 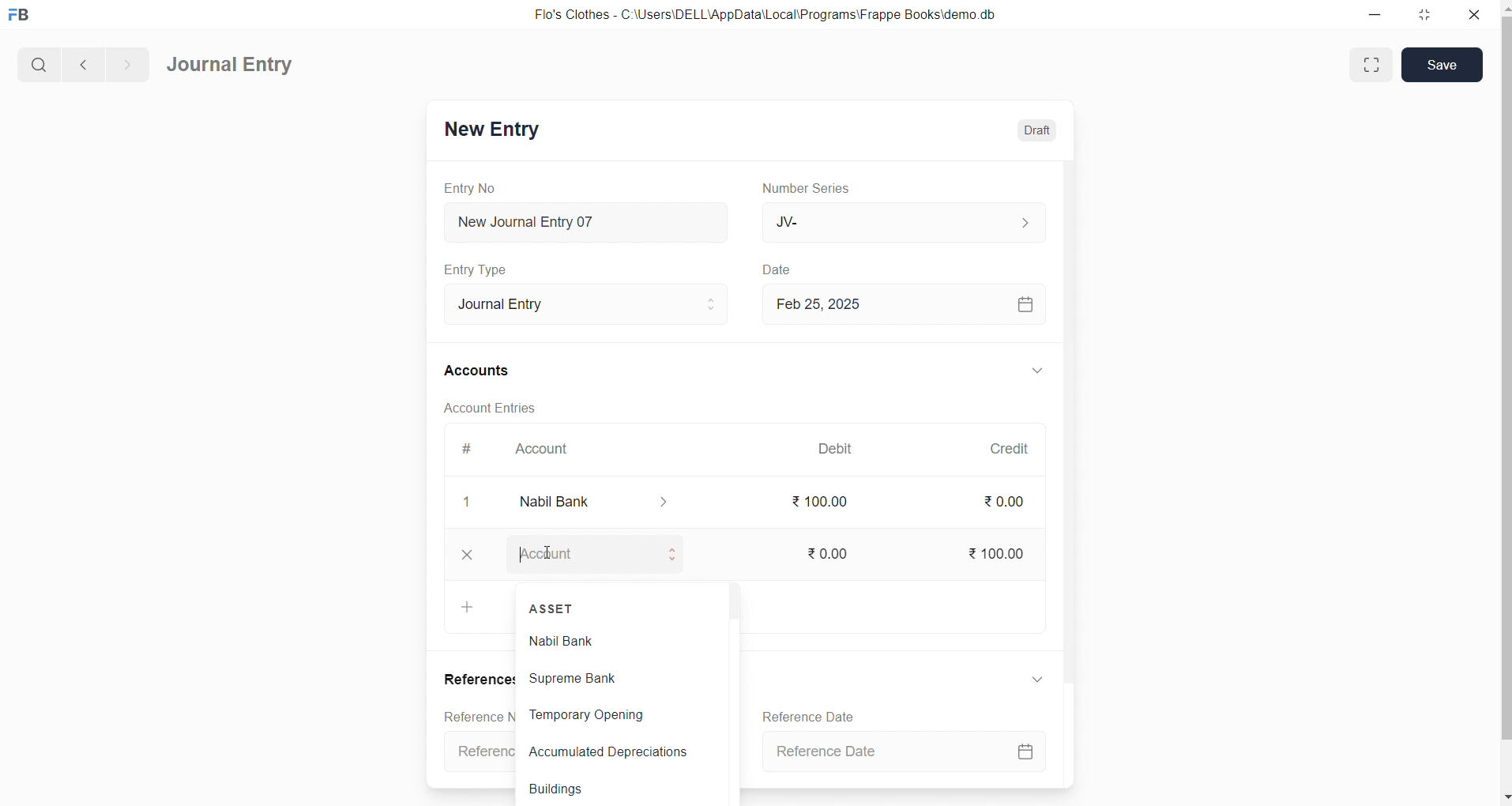 I want to click on Reference Number, so click(x=479, y=717).